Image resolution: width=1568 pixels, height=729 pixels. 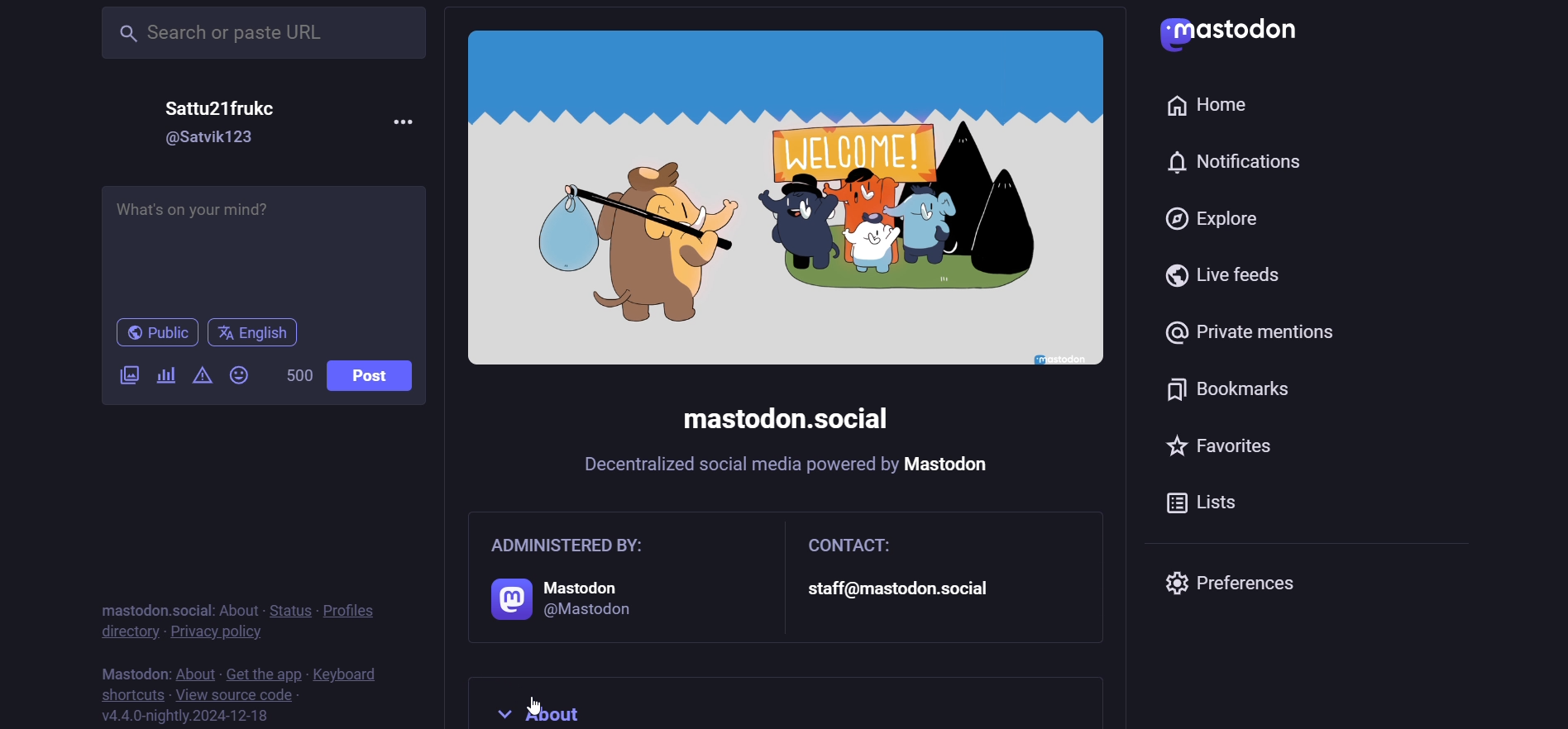 I want to click on about, so click(x=237, y=610).